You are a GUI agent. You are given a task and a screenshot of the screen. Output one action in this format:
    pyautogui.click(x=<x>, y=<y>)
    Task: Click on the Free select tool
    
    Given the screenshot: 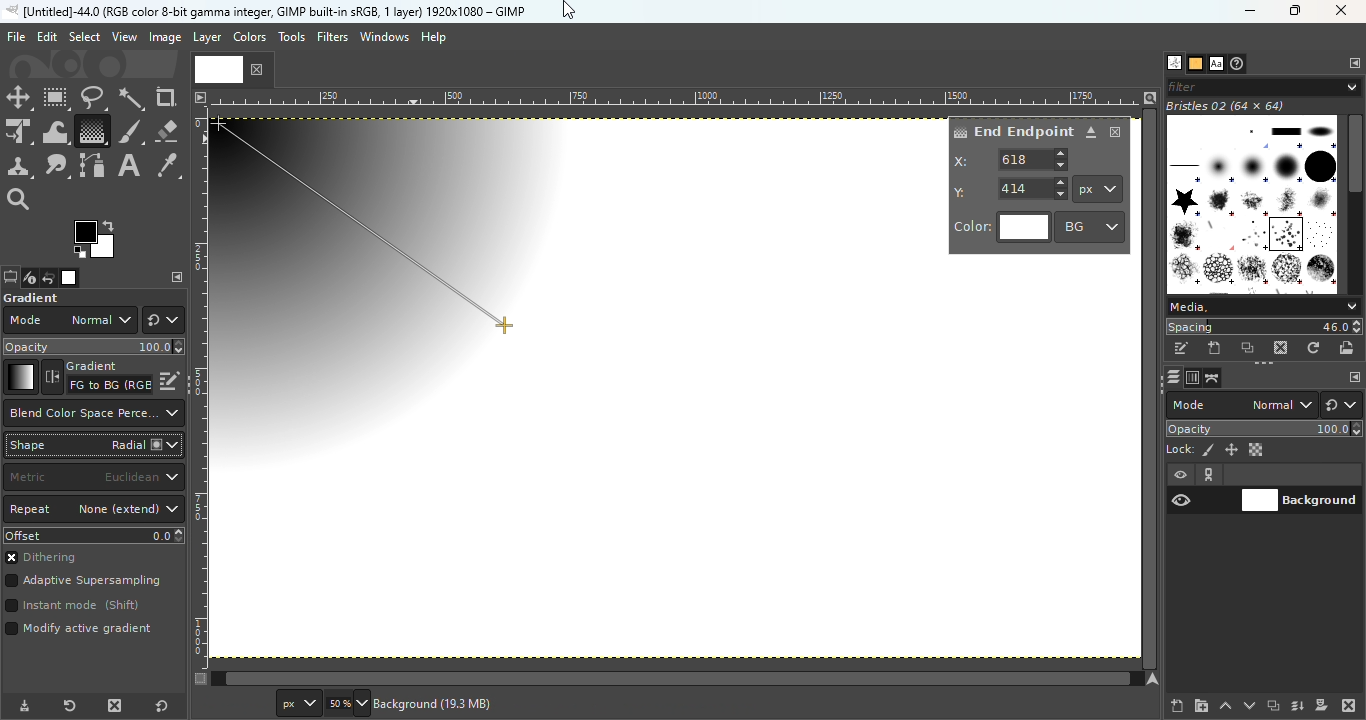 What is the action you would take?
    pyautogui.click(x=92, y=97)
    